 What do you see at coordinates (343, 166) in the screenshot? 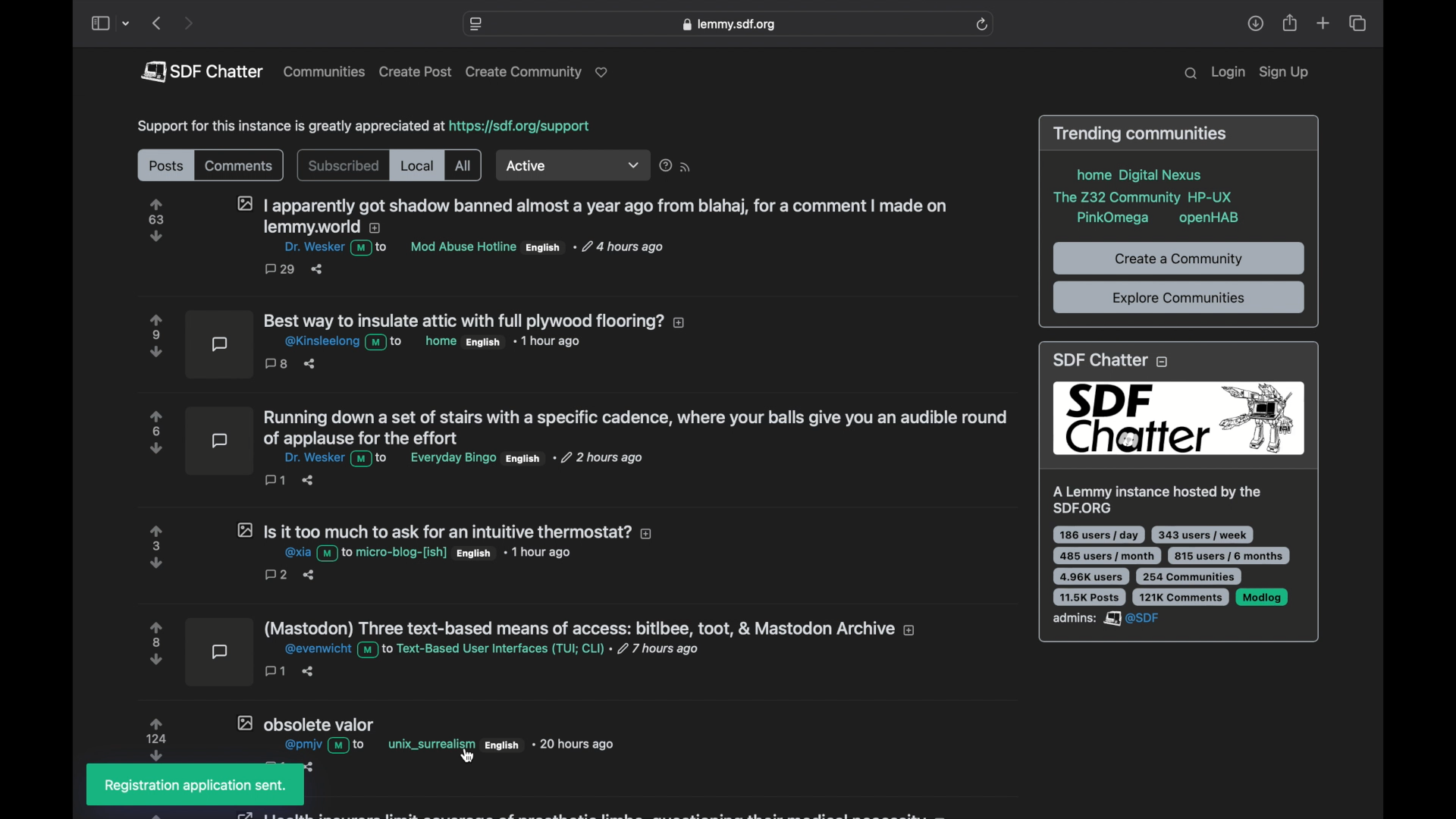
I see `subscribed` at bounding box center [343, 166].